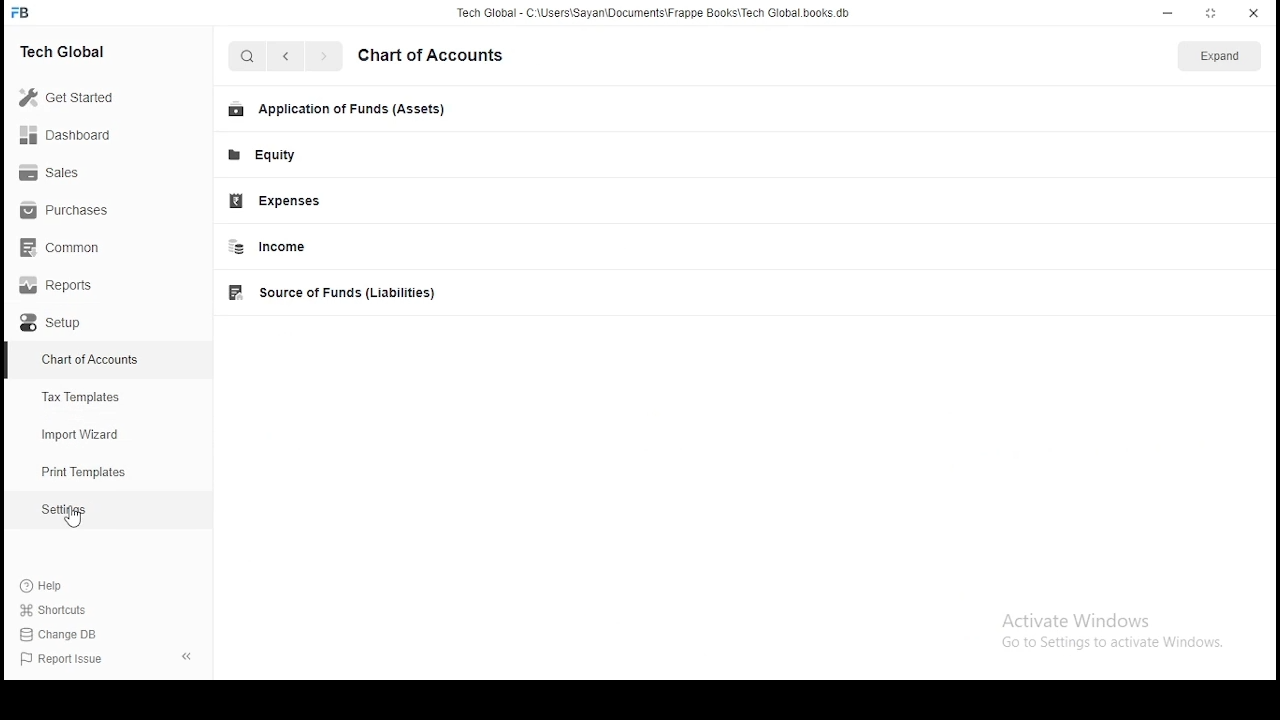 The width and height of the screenshot is (1280, 720). I want to click on Sales , so click(80, 175).